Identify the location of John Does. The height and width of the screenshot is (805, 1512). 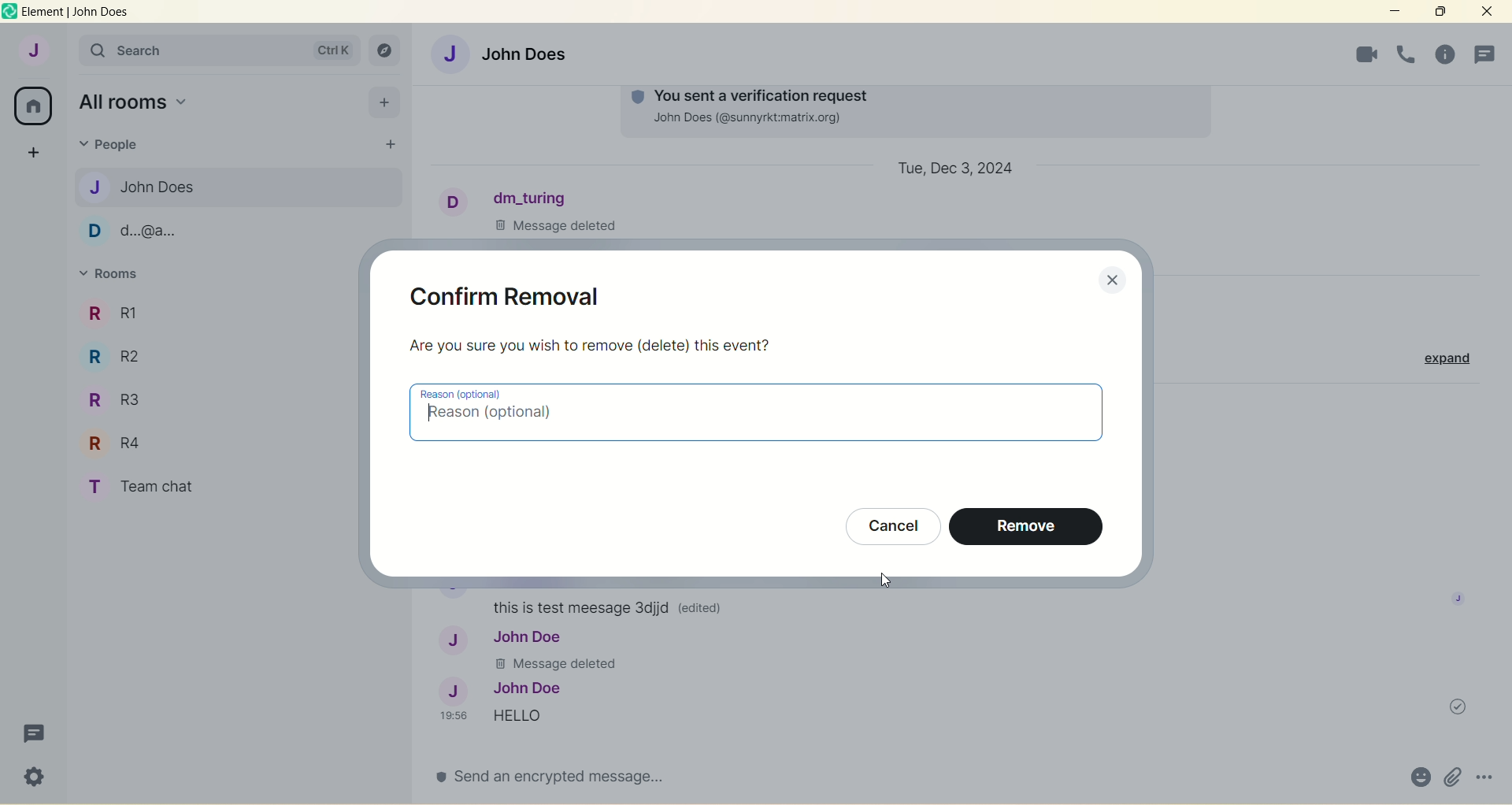
(148, 187).